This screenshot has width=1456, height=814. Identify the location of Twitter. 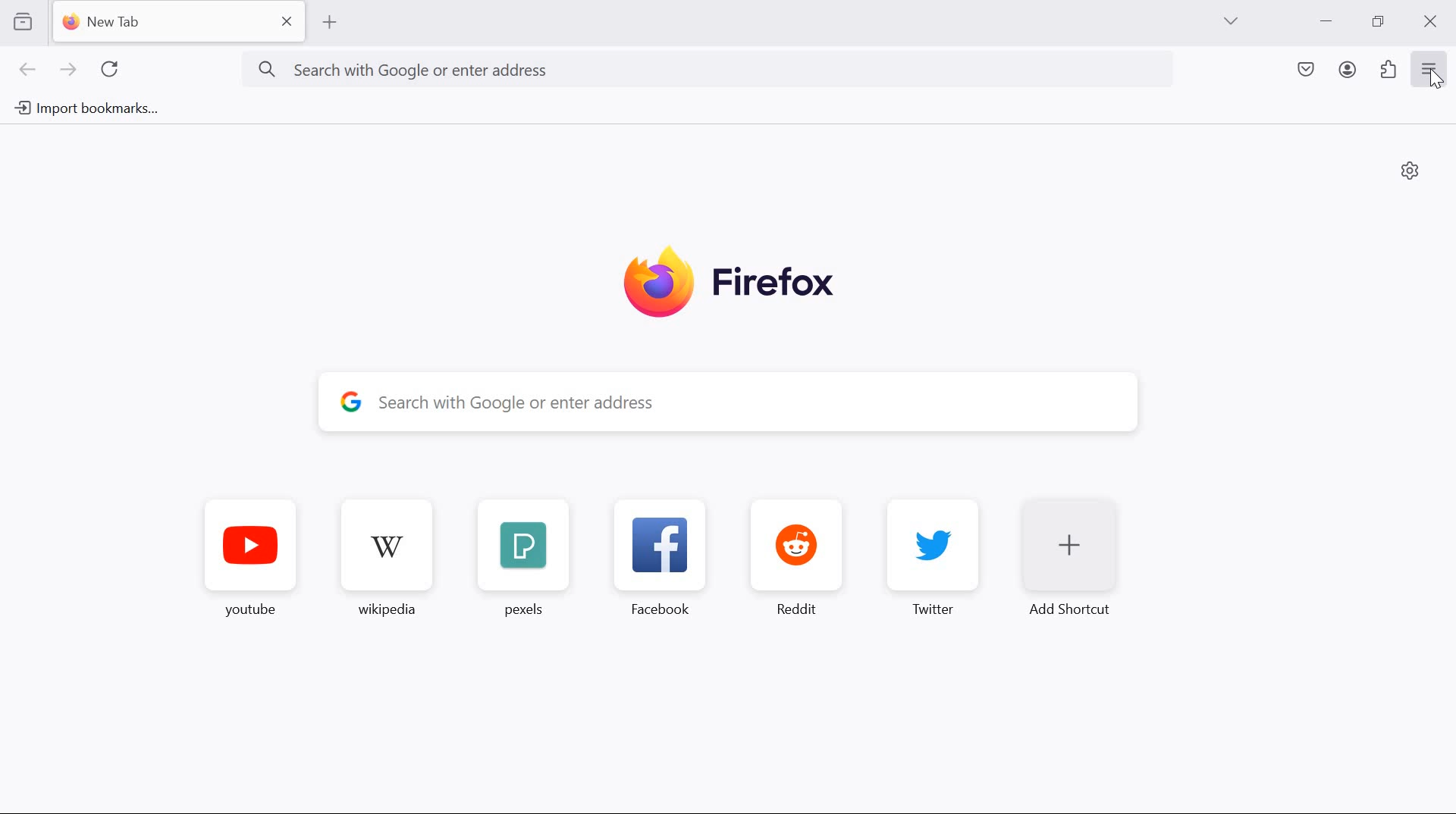
(937, 555).